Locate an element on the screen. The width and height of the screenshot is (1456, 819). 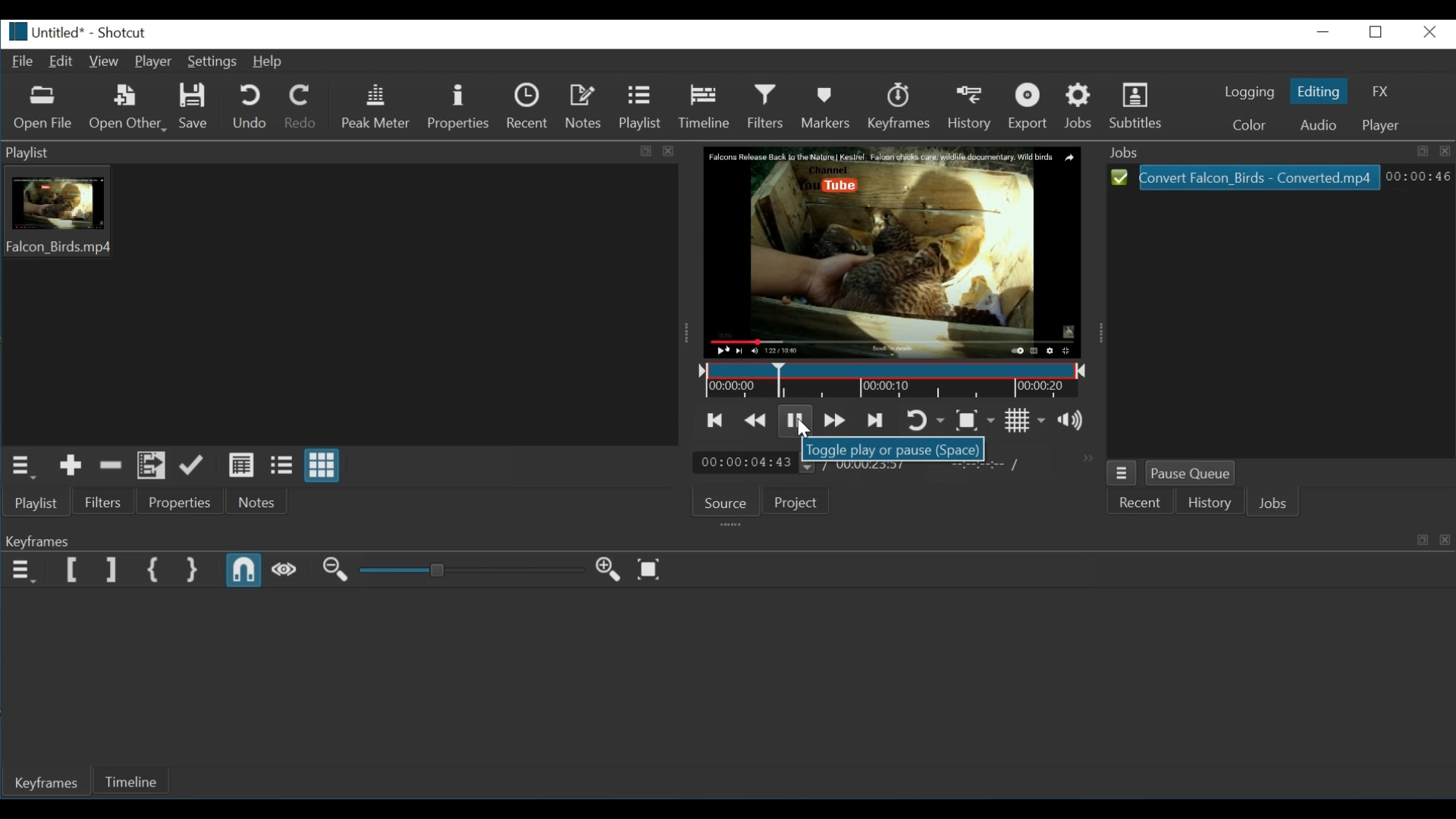
Open Other is located at coordinates (129, 108).